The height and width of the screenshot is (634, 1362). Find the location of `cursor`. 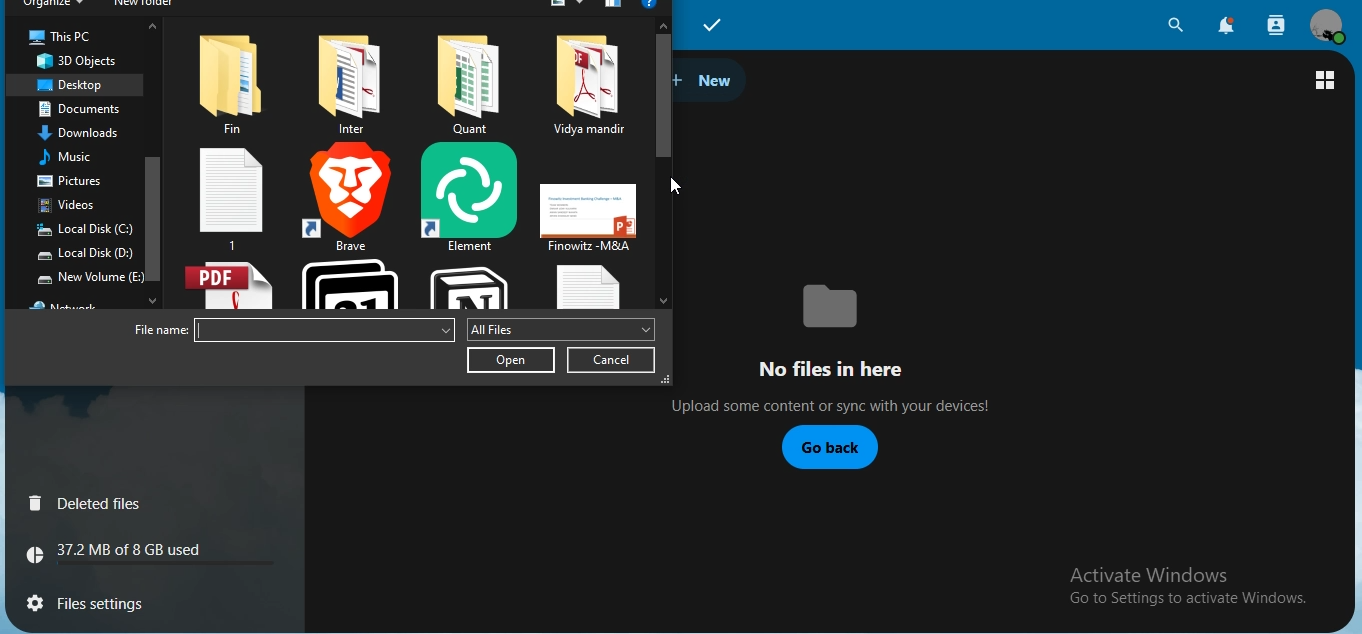

cursor is located at coordinates (678, 183).